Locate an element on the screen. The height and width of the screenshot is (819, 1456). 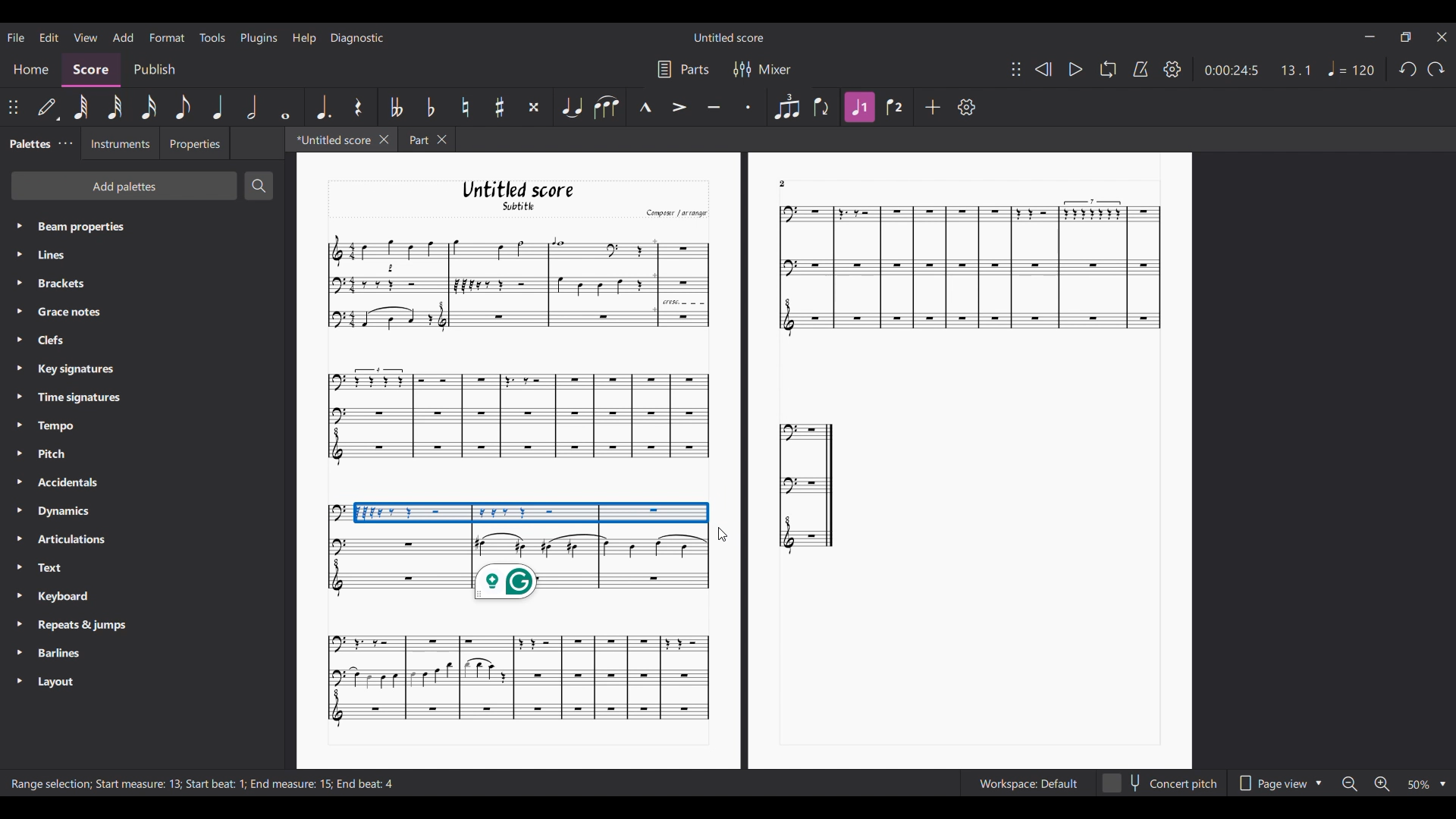
Play is located at coordinates (1076, 69).